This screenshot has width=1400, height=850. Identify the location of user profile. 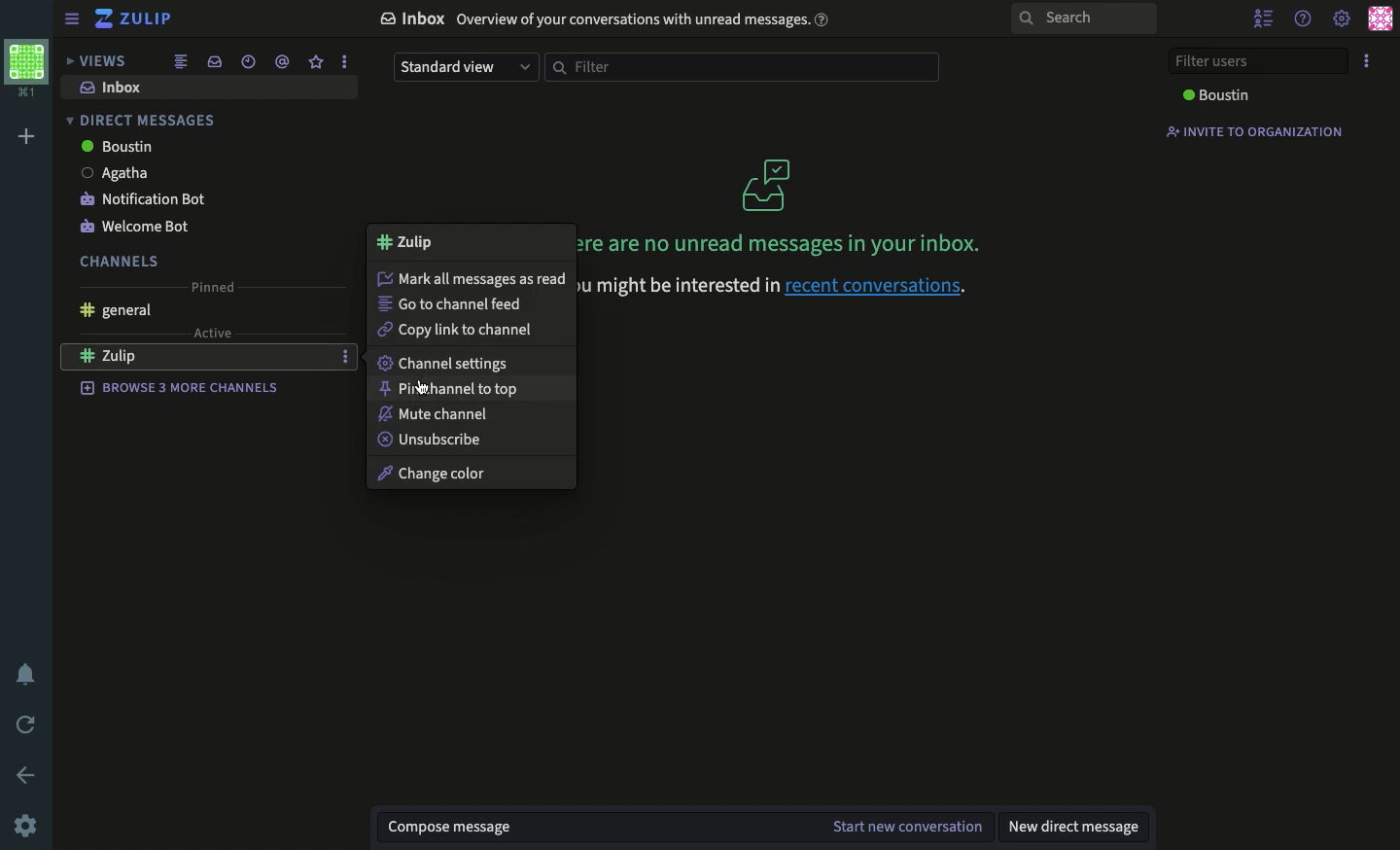
(1381, 18).